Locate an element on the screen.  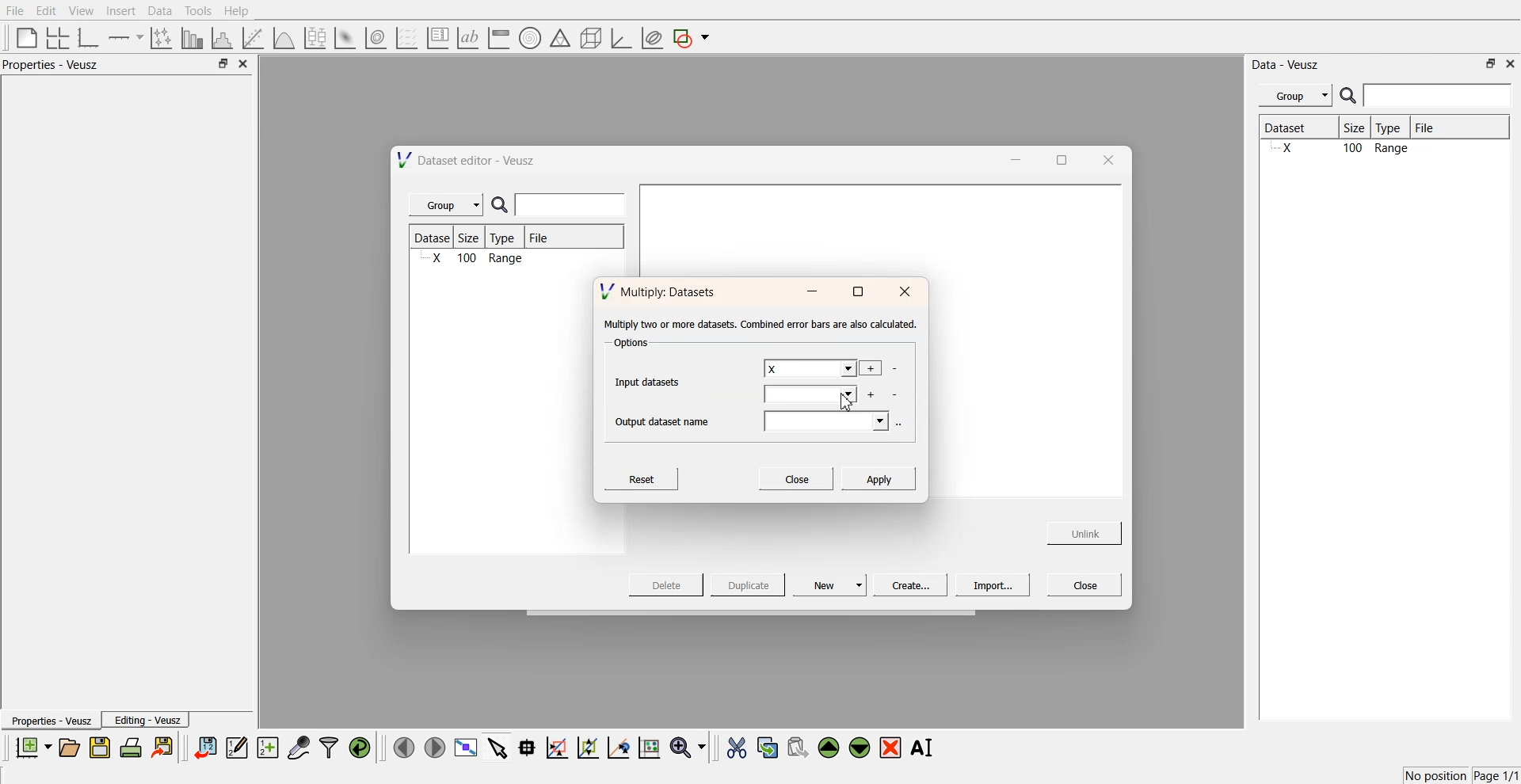
close is located at coordinates (244, 64).